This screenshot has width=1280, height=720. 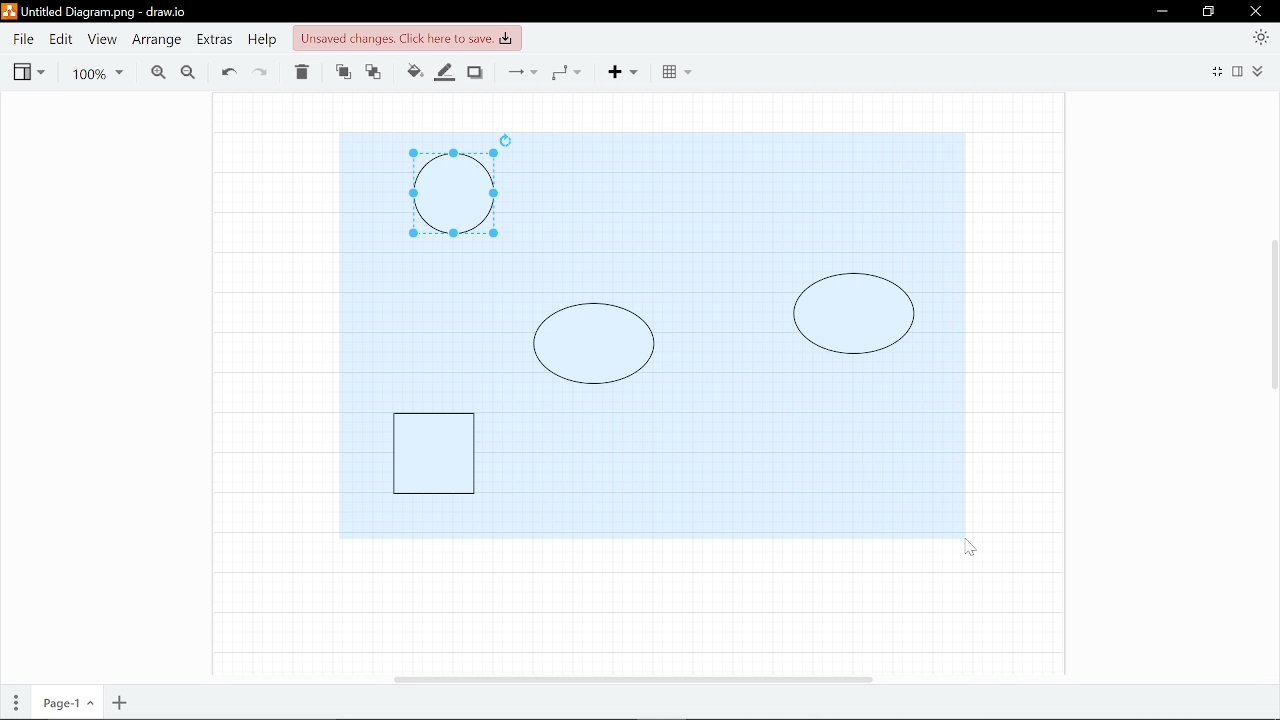 I want to click on Unsaved changes. Click here to save, so click(x=405, y=37).